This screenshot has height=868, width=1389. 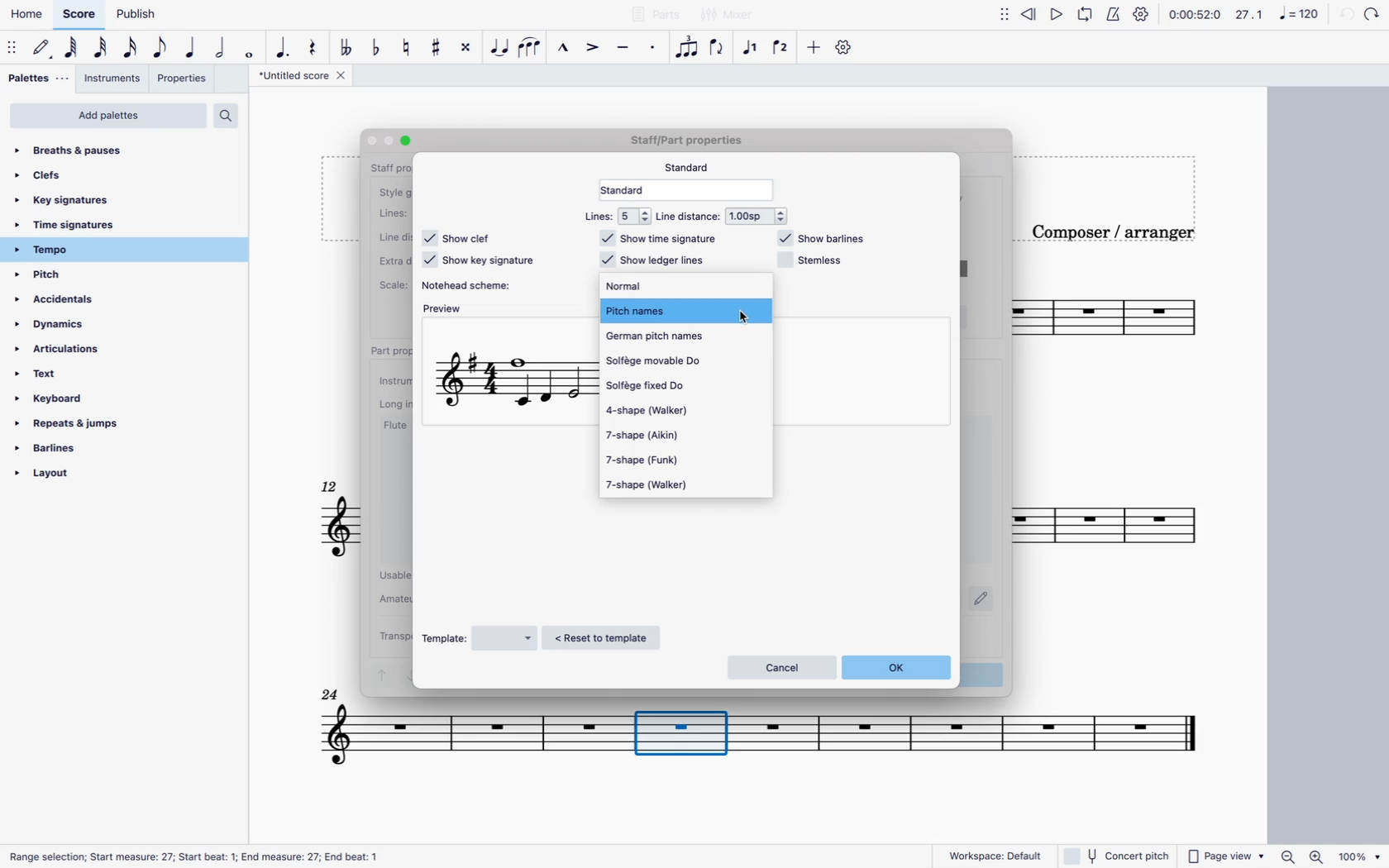 I want to click on time, so click(x=1194, y=13).